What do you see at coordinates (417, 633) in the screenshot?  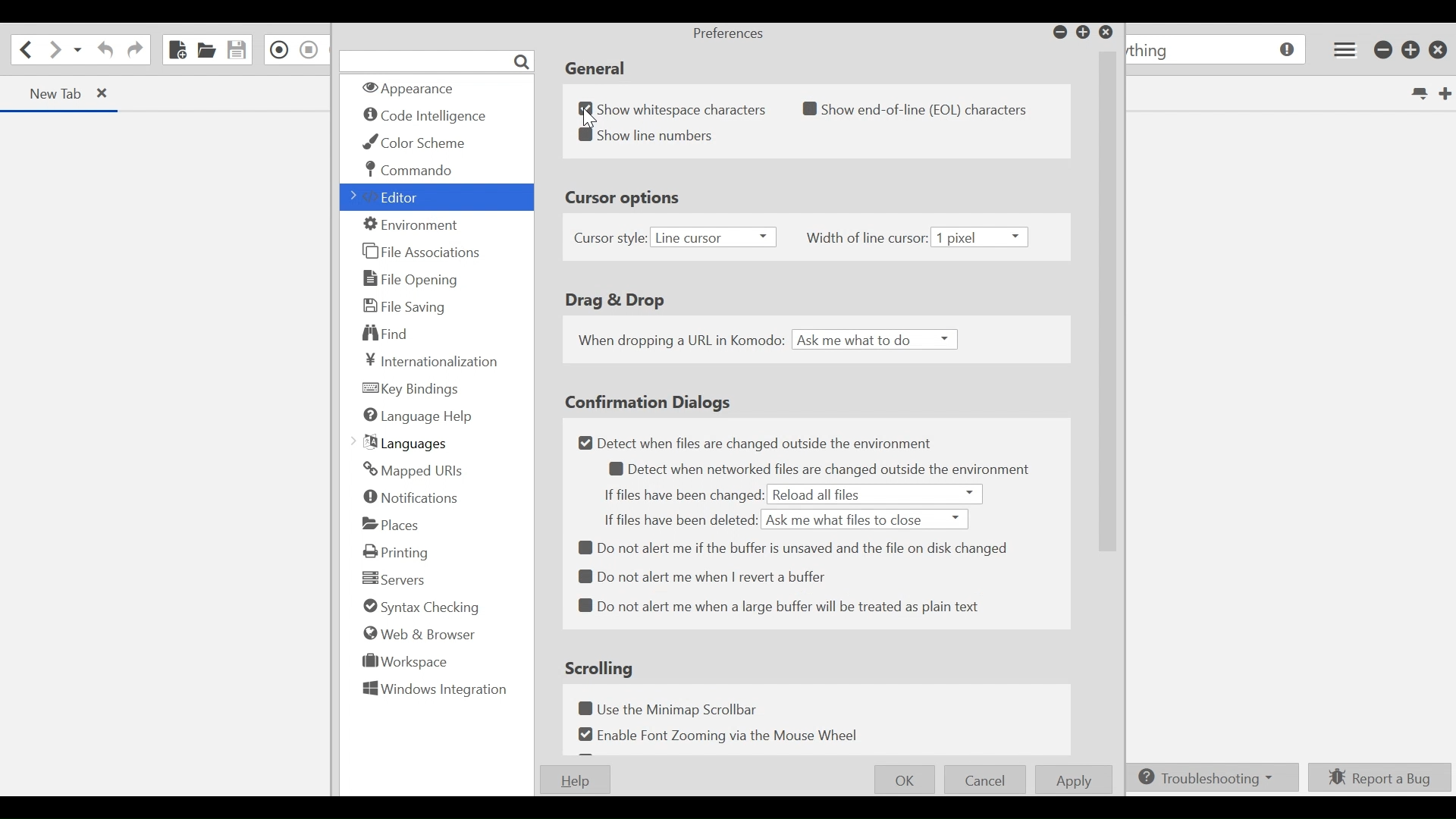 I see `Web & Browser` at bounding box center [417, 633].